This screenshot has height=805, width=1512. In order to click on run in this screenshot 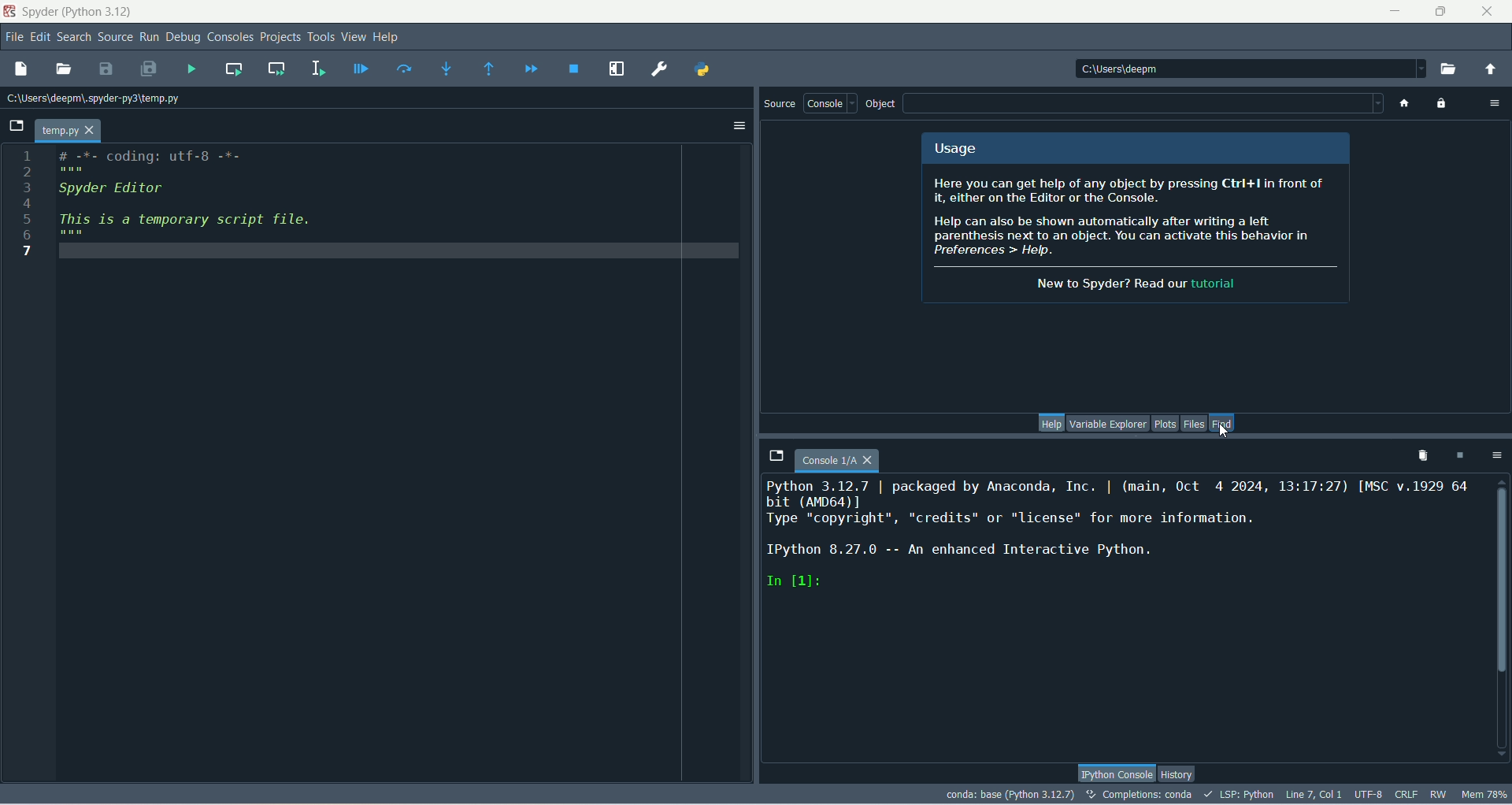, I will do `click(150, 37)`.